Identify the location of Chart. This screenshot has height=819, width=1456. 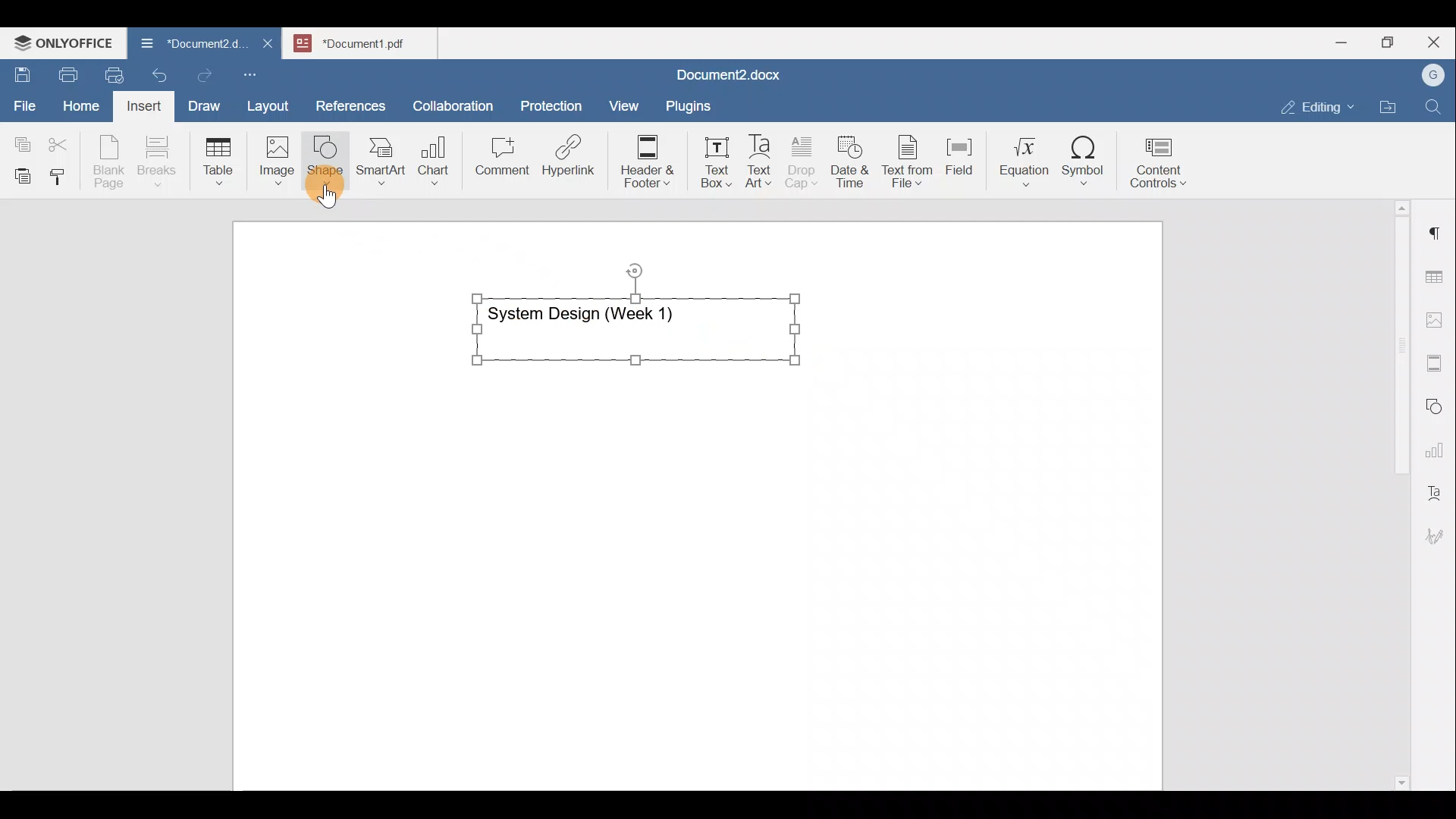
(431, 162).